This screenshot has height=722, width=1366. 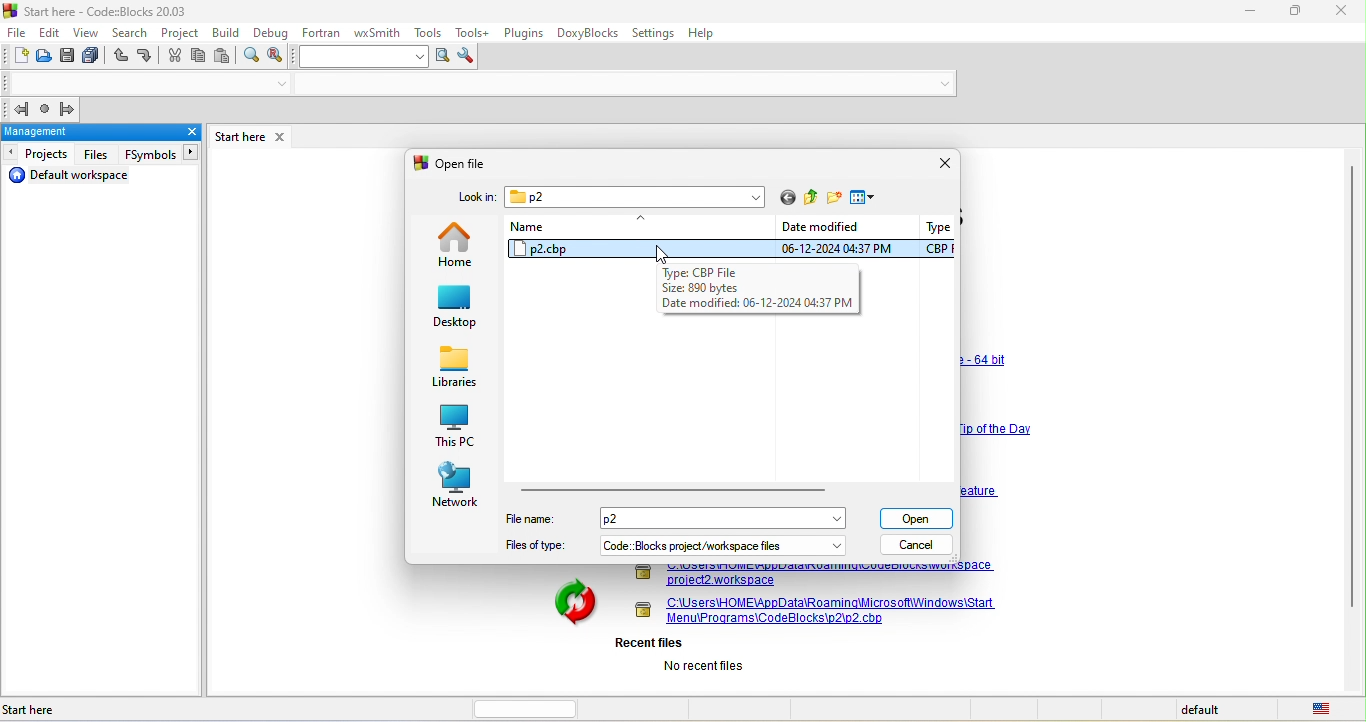 What do you see at coordinates (656, 256) in the screenshot?
I see `cursor movement` at bounding box center [656, 256].